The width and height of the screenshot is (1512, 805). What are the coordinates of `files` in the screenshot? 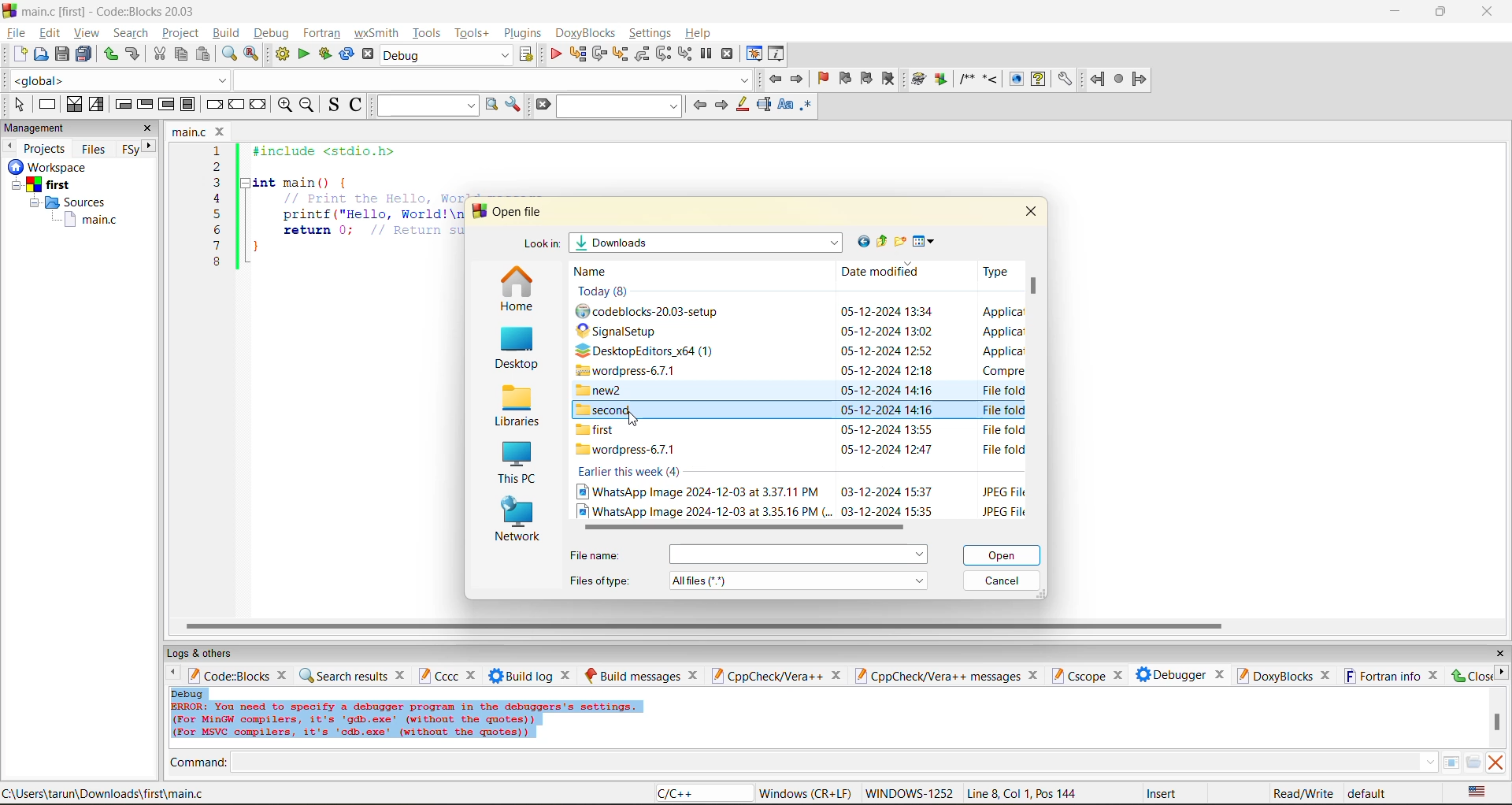 It's located at (94, 148).